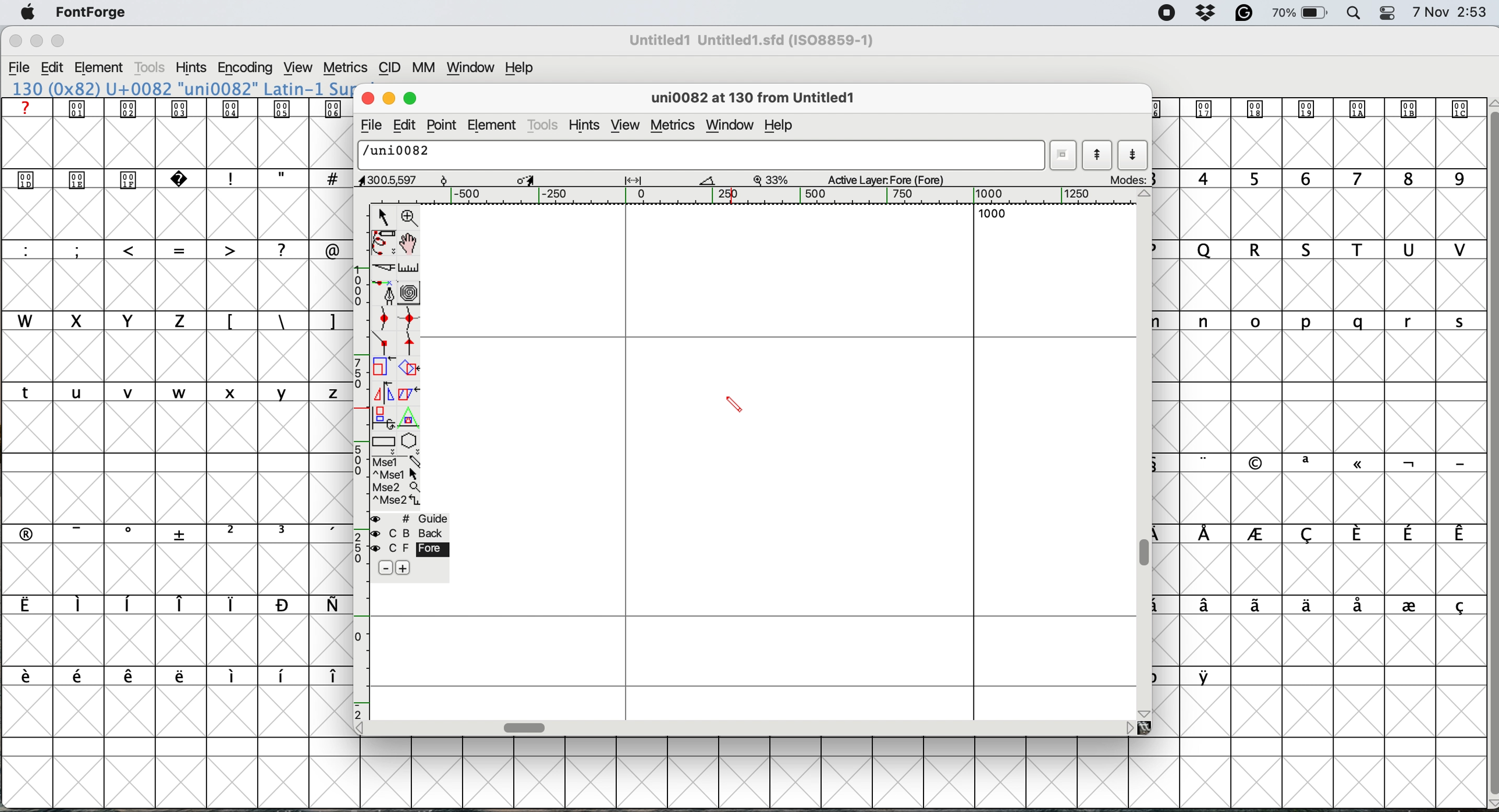 Image resolution: width=1499 pixels, height=812 pixels. What do you see at coordinates (428, 69) in the screenshot?
I see `mm` at bounding box center [428, 69].